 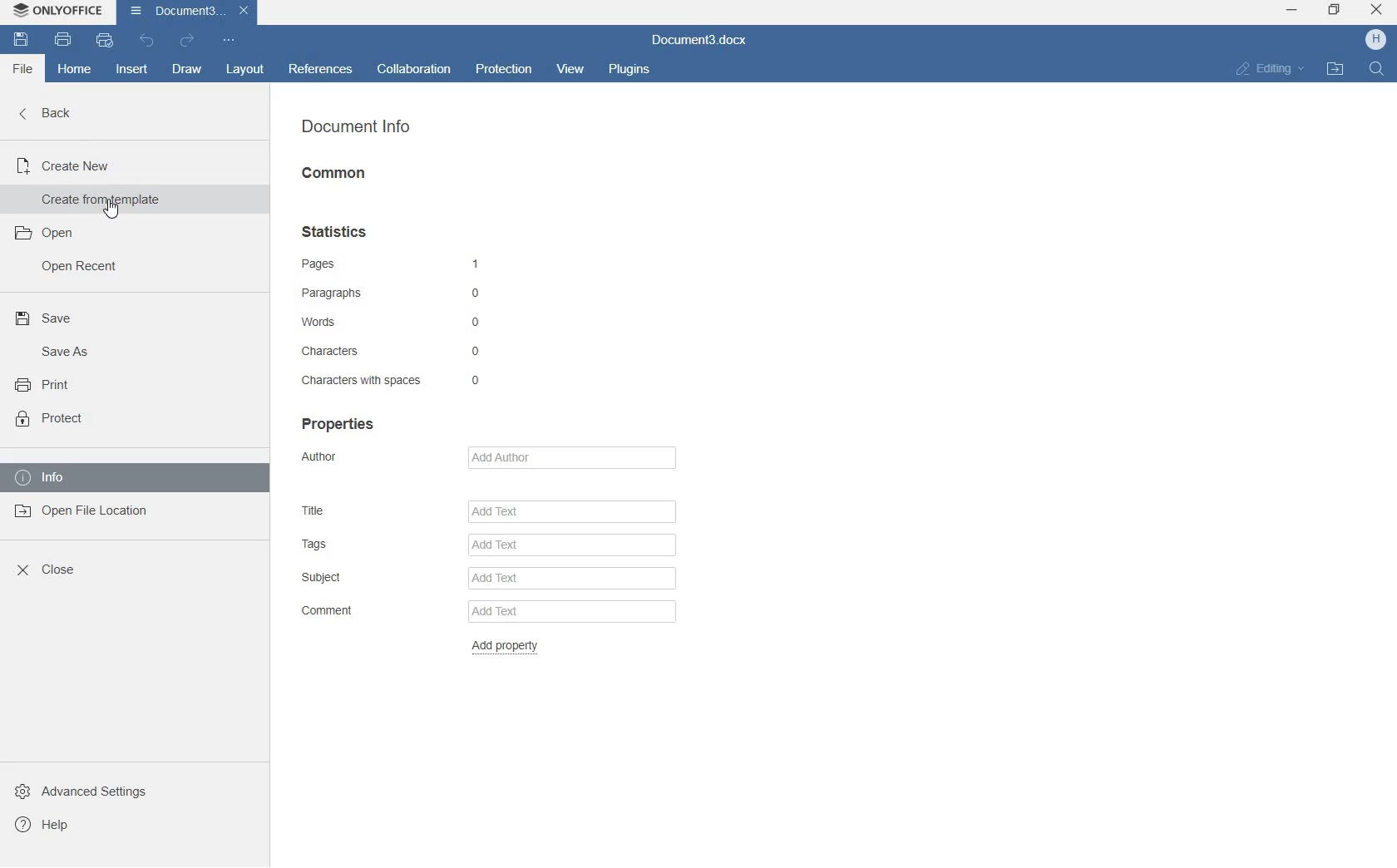 I want to click on statistics, so click(x=341, y=229).